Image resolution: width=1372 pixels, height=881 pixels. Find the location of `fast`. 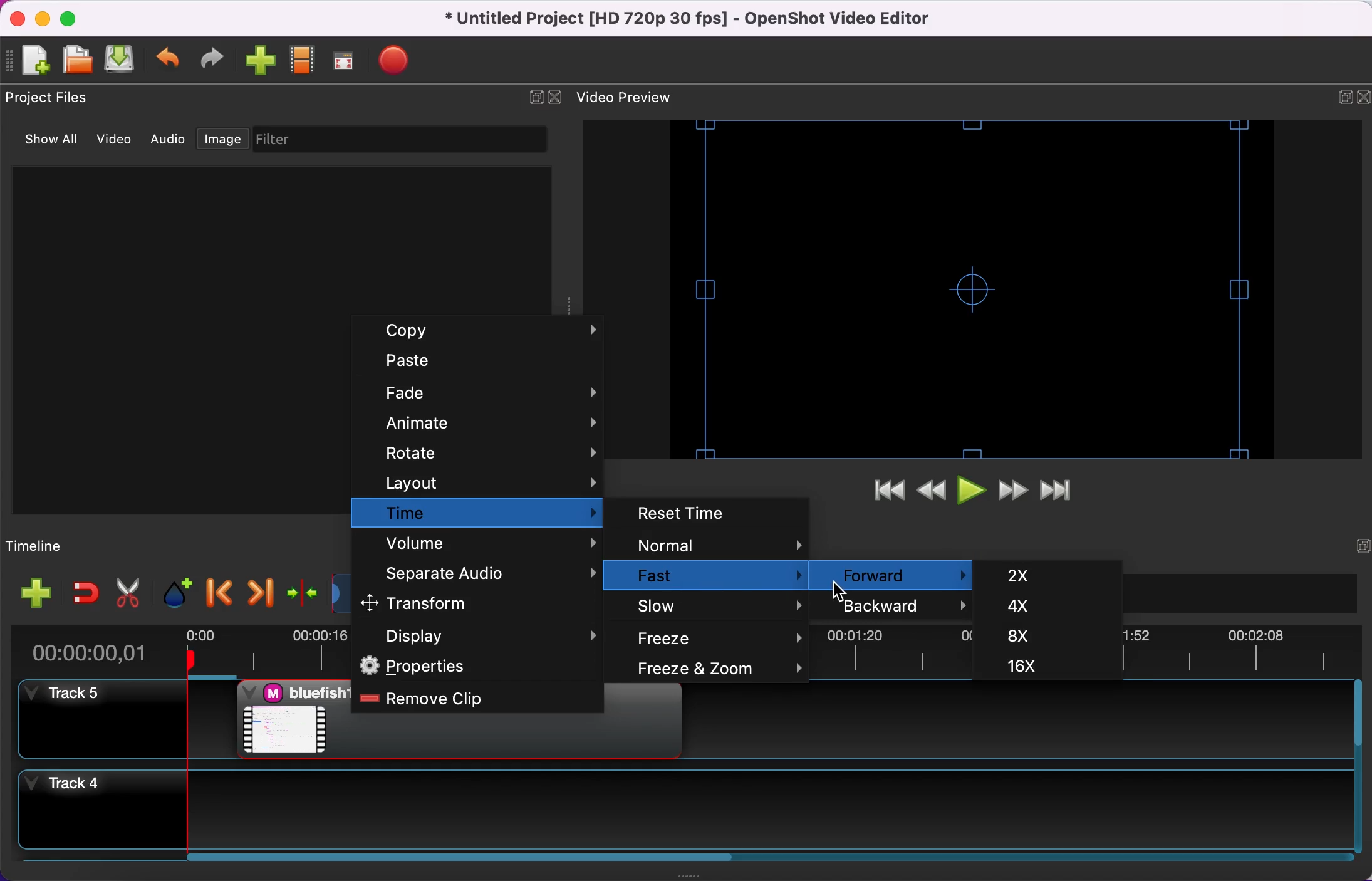

fast is located at coordinates (715, 577).